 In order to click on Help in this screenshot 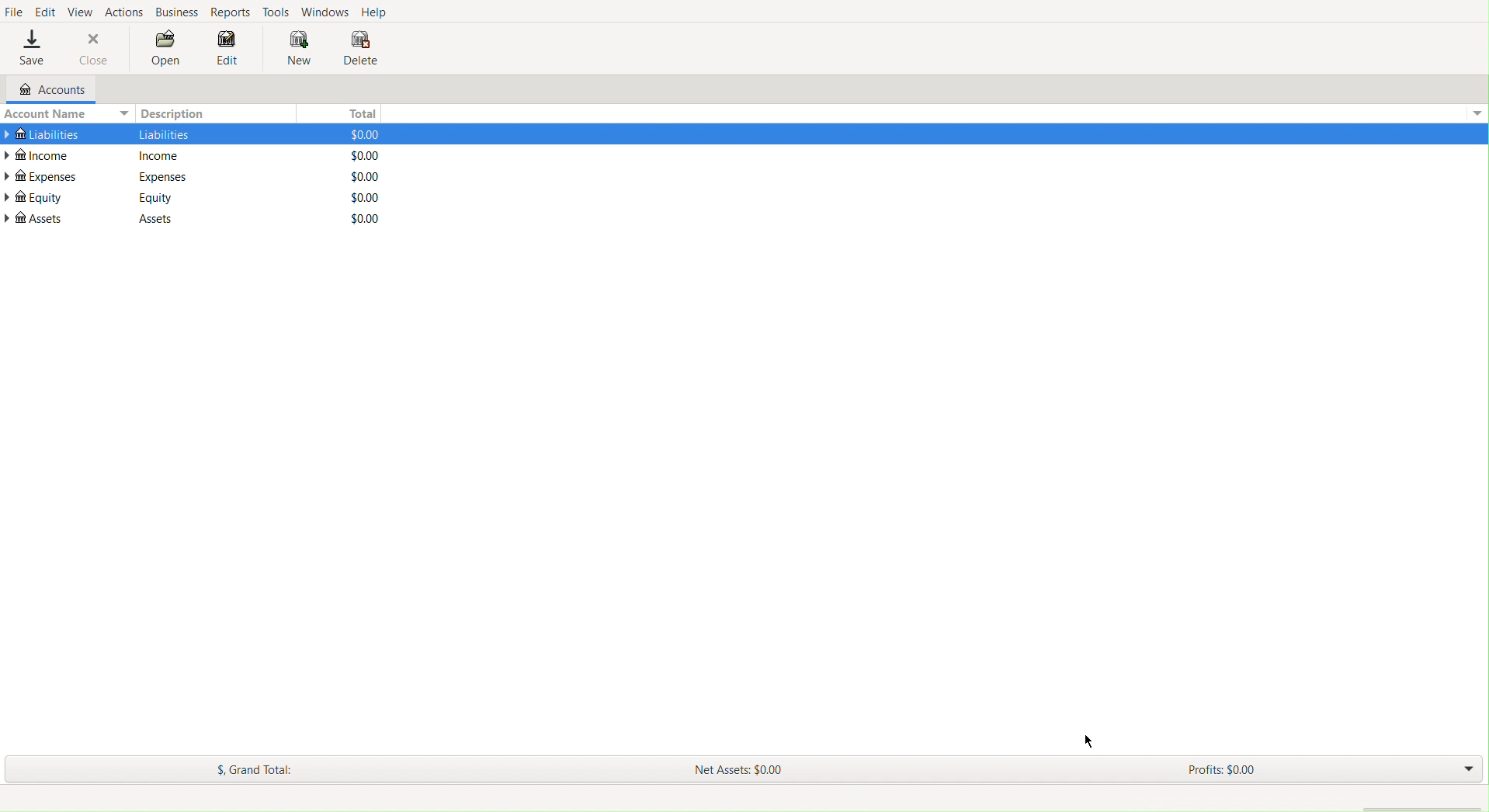, I will do `click(377, 12)`.